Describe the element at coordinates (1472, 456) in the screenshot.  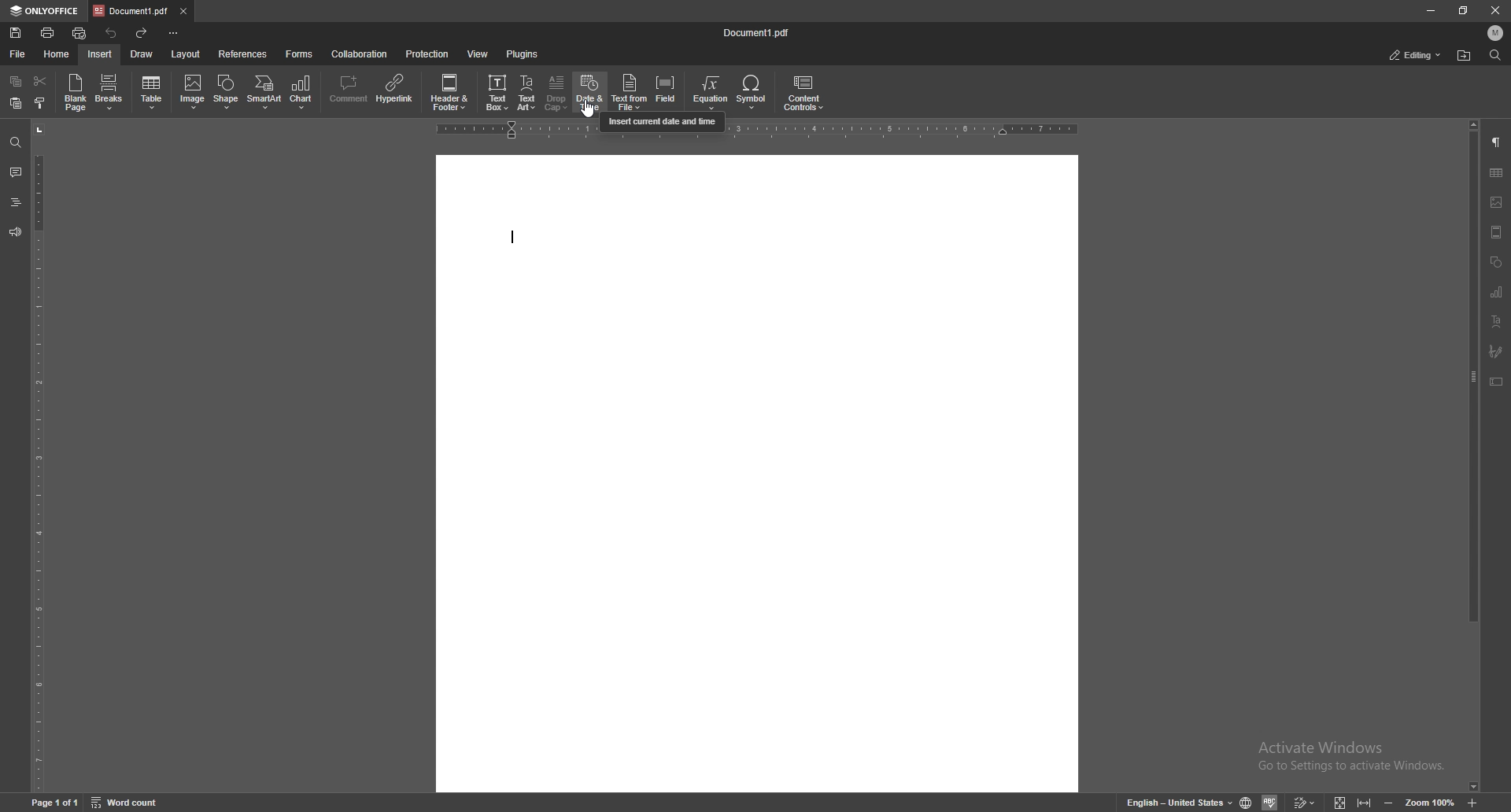
I see `scroll bar` at that location.